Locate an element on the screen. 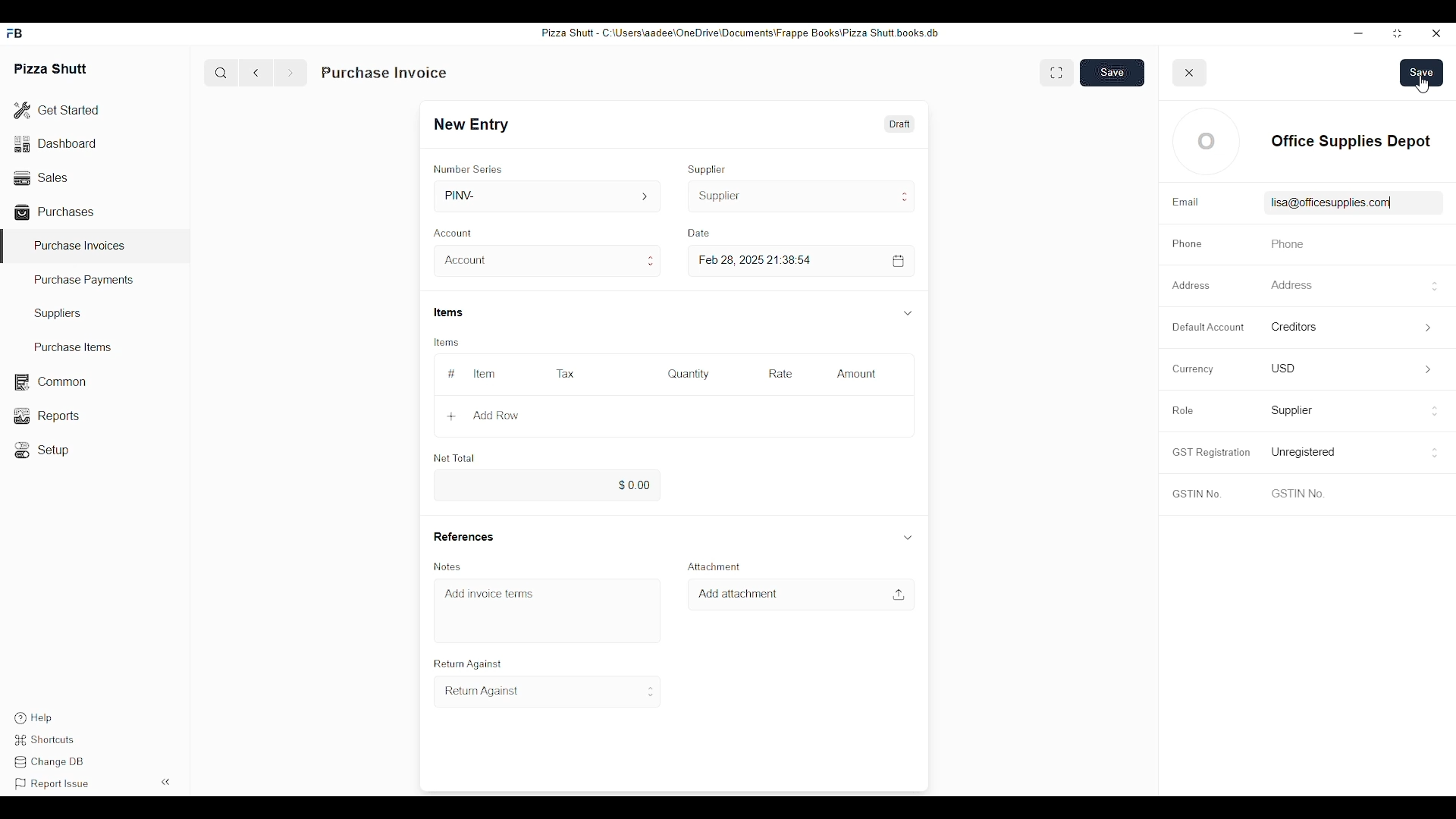 This screenshot has height=819, width=1456. lisa@officesupplies.com is located at coordinates (1326, 202).